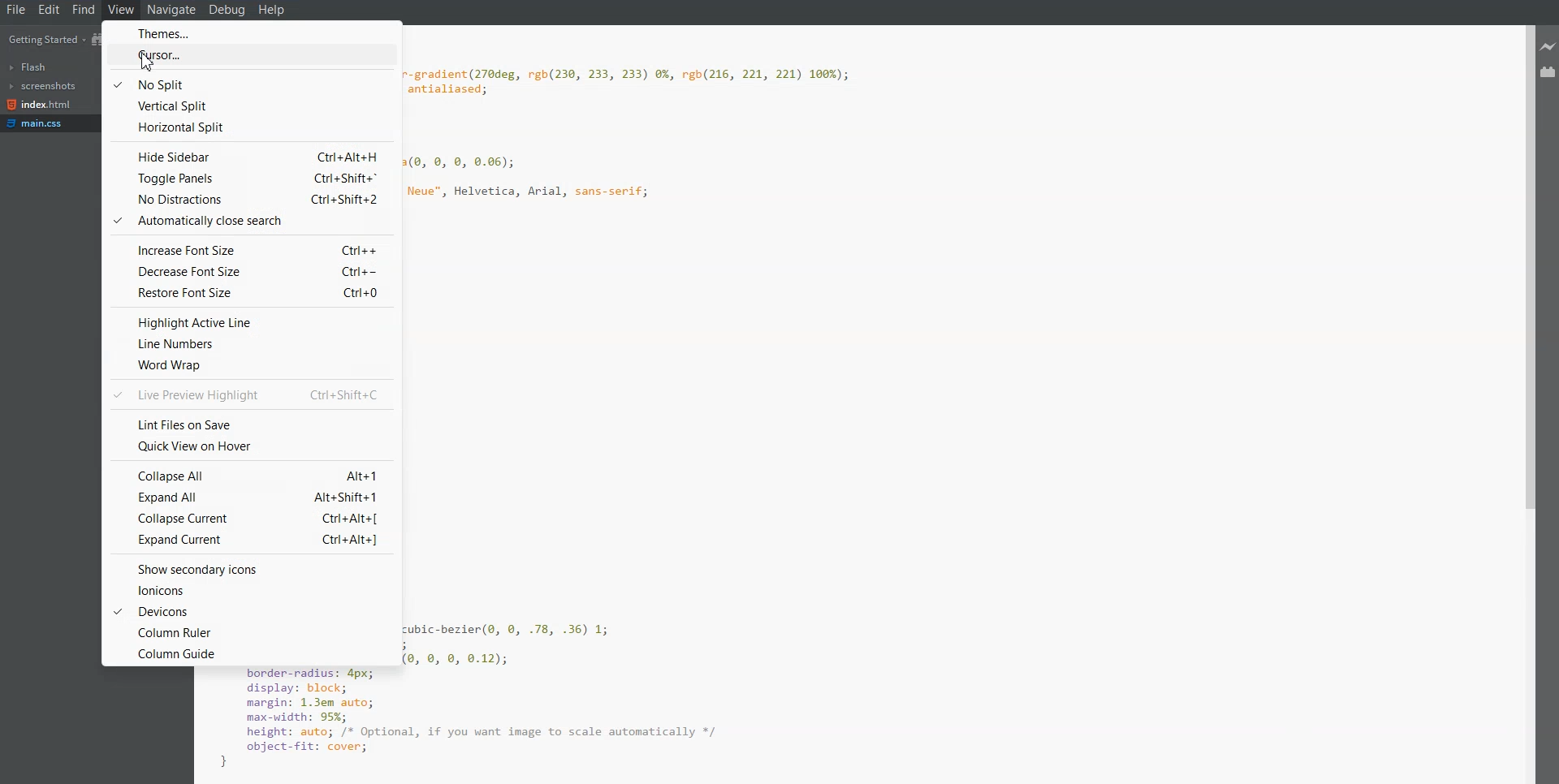  What do you see at coordinates (250, 128) in the screenshot?
I see `Horizontal Split` at bounding box center [250, 128].